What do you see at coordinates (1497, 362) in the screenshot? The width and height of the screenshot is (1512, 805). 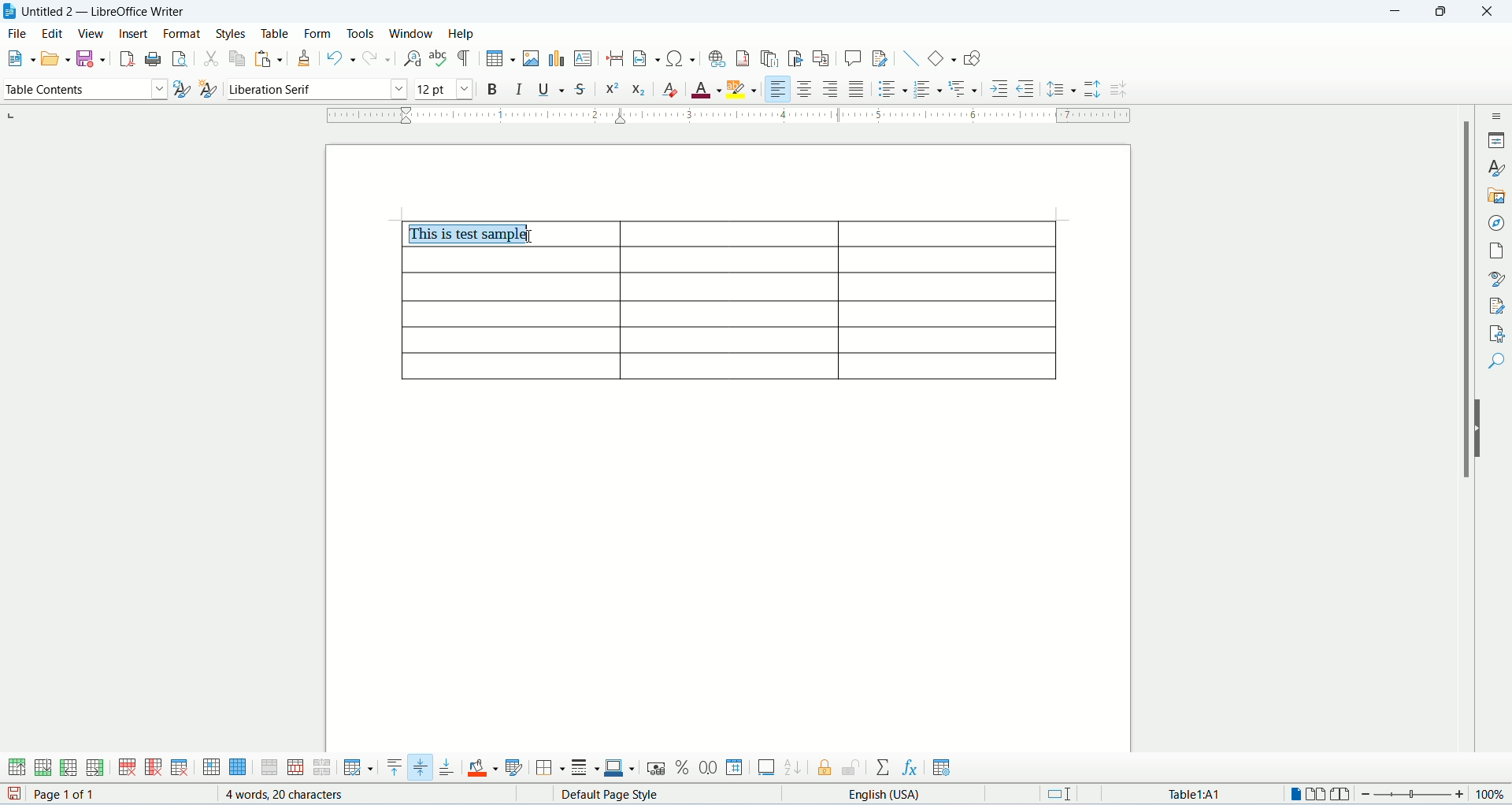 I see `find` at bounding box center [1497, 362].